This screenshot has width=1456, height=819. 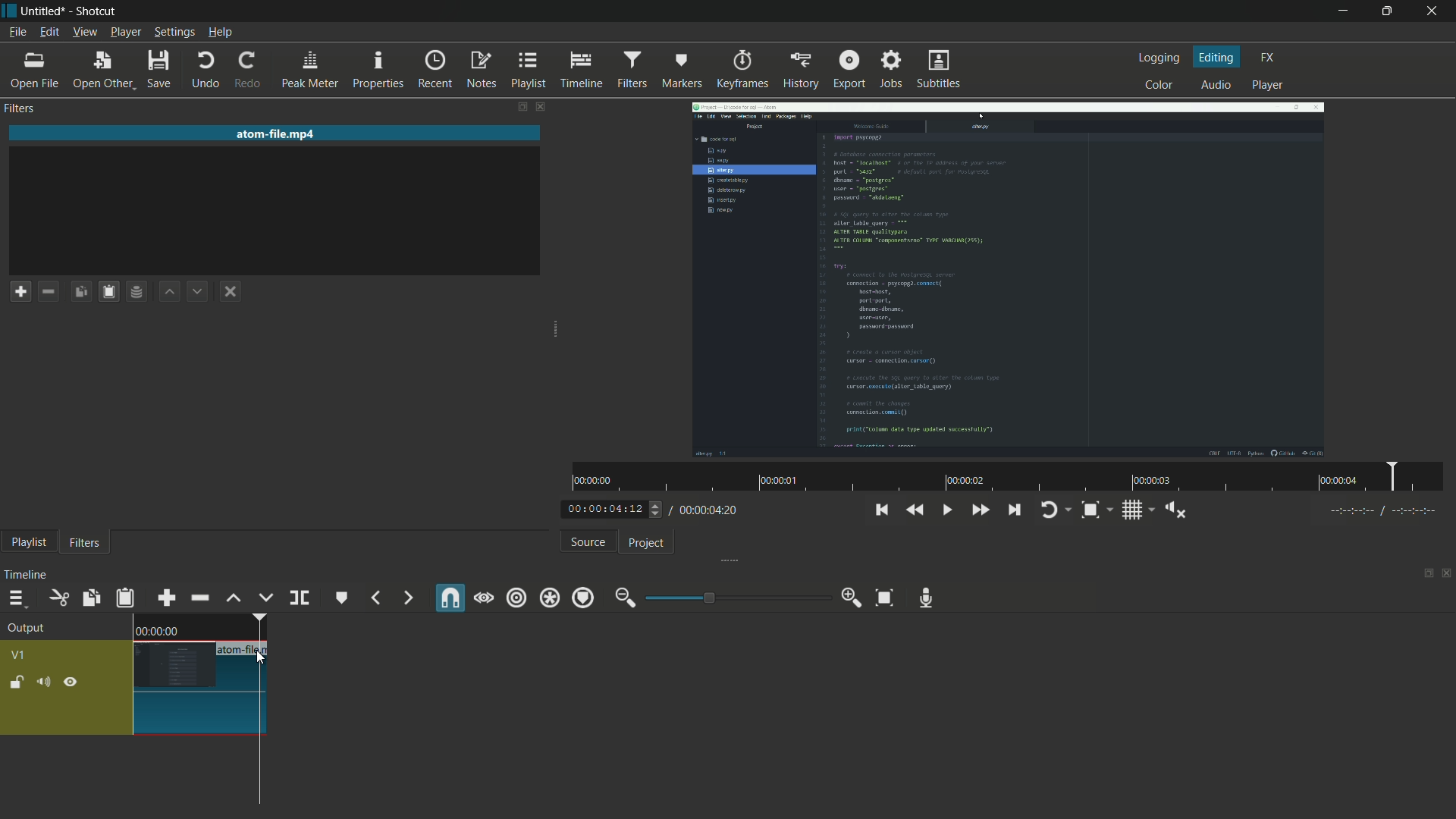 What do you see at coordinates (206, 70) in the screenshot?
I see `undo` at bounding box center [206, 70].